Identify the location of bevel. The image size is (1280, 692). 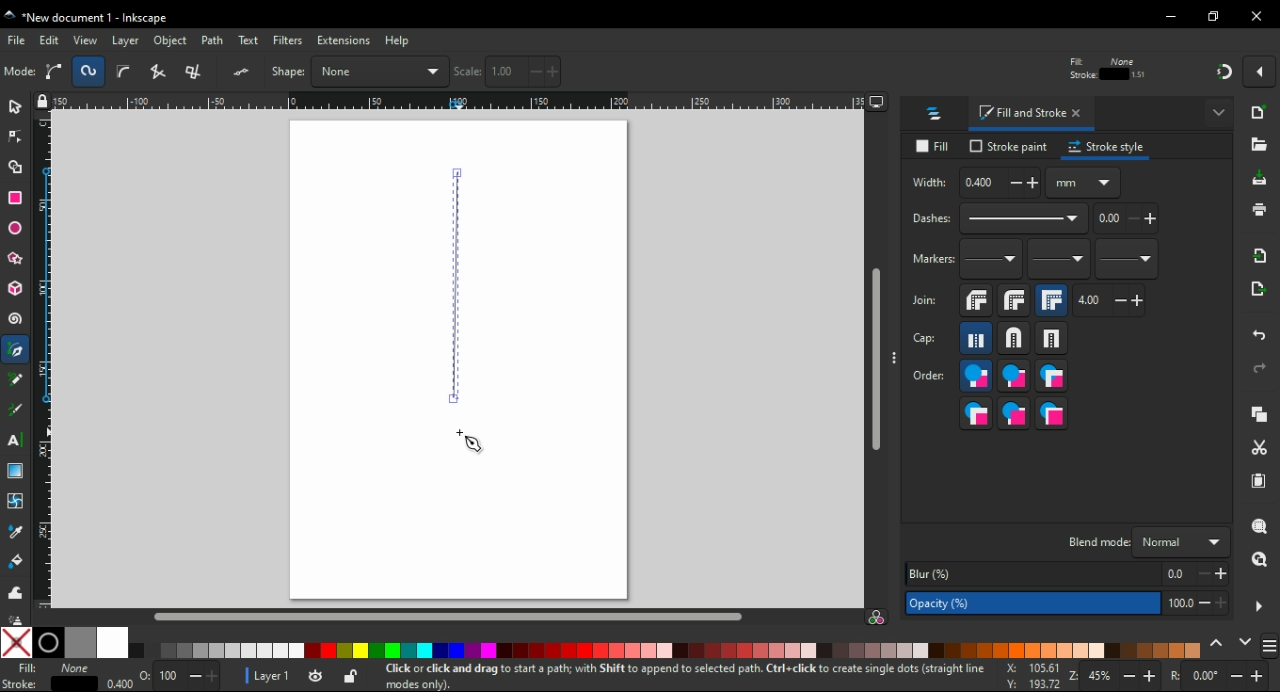
(977, 301).